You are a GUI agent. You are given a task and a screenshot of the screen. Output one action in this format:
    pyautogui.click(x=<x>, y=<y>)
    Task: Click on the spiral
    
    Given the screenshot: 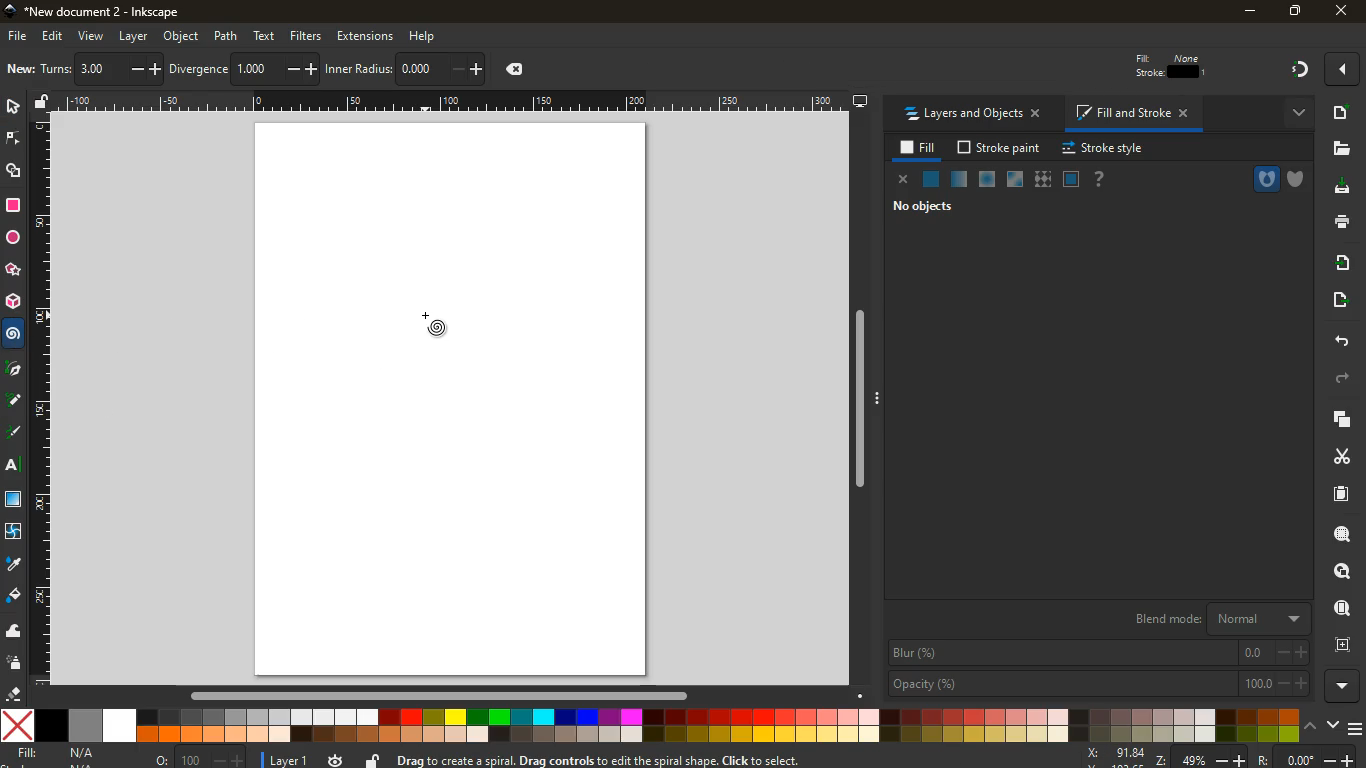 What is the action you would take?
    pyautogui.click(x=447, y=336)
    